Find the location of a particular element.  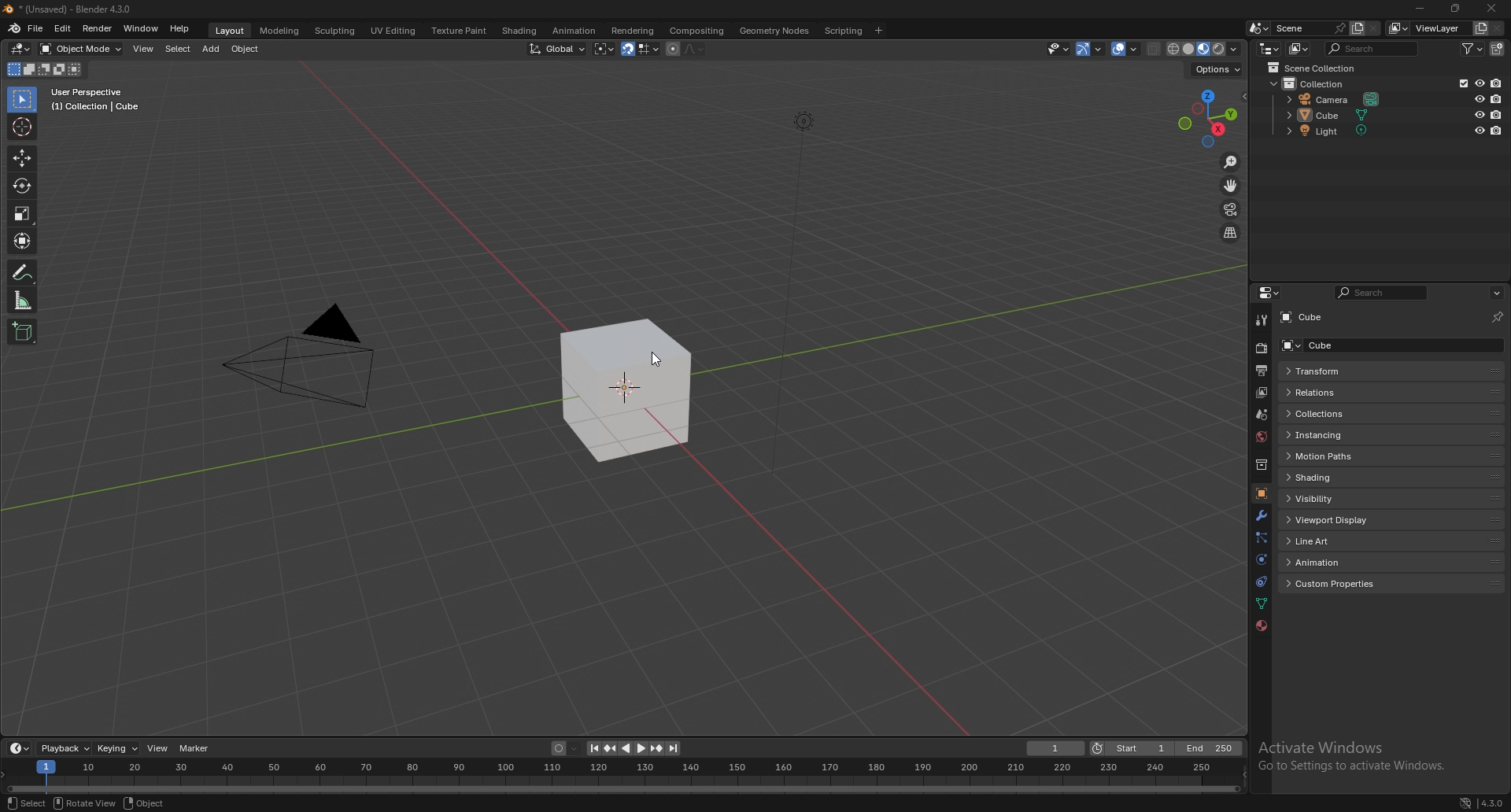

jump to keyframe is located at coordinates (609, 748).